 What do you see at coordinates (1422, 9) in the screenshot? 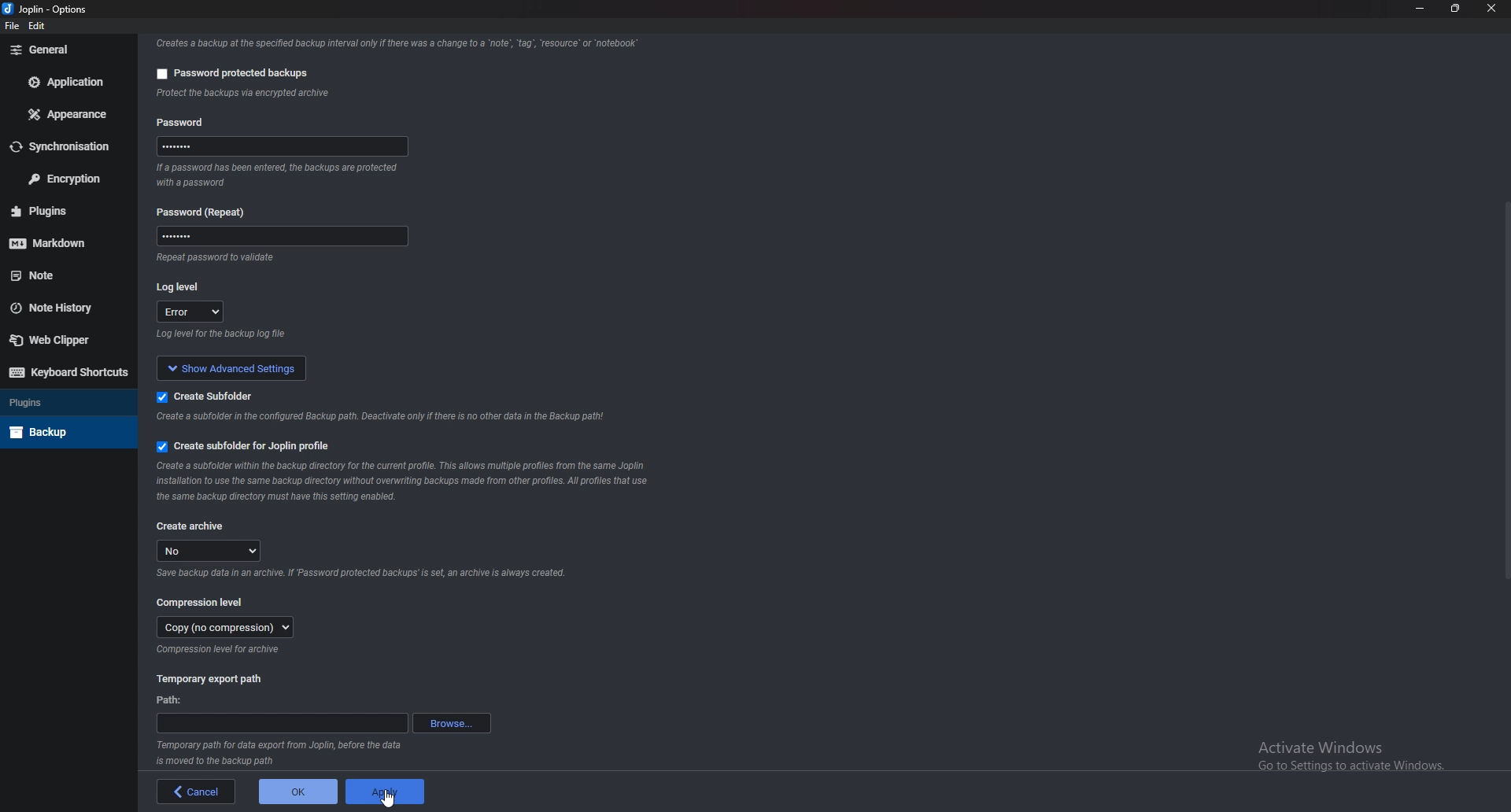
I see `Minimize` at bounding box center [1422, 9].